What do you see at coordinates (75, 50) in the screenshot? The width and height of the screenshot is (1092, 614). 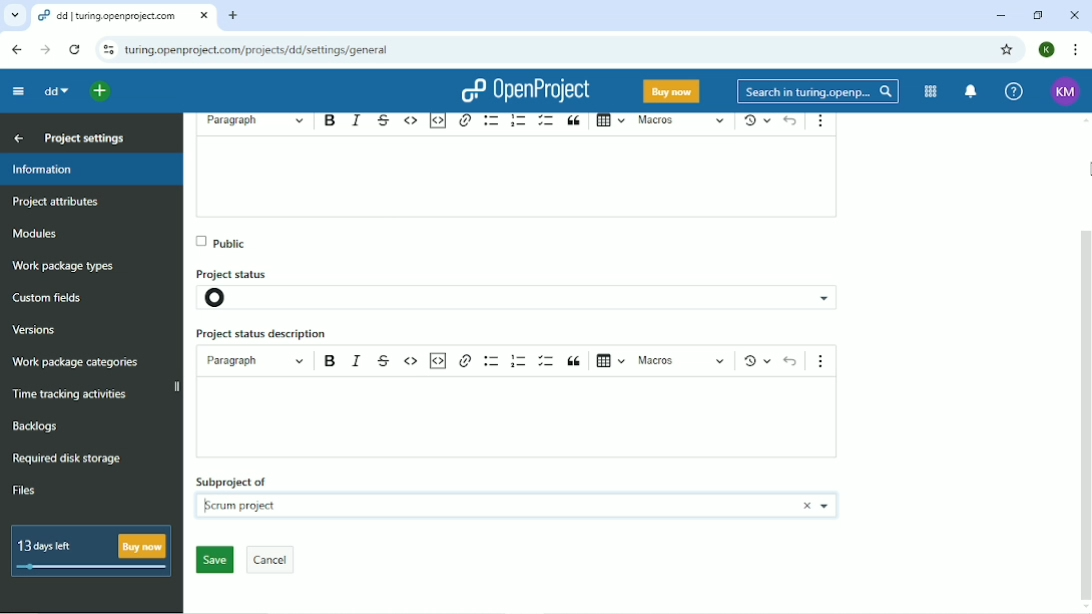 I see `Reload this page` at bounding box center [75, 50].